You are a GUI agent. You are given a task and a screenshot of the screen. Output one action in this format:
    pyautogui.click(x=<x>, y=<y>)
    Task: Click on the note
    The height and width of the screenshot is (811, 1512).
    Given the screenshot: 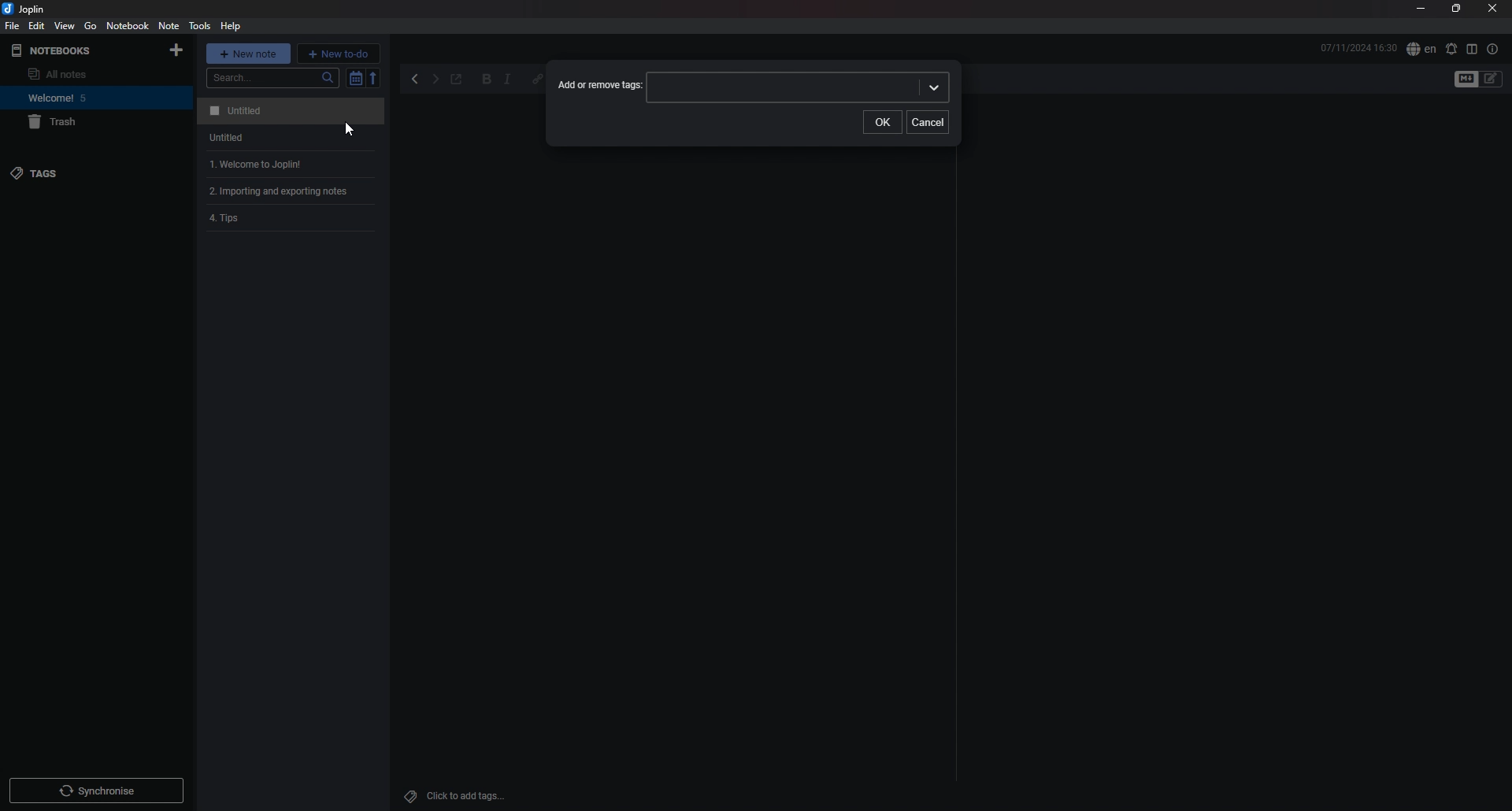 What is the action you would take?
    pyautogui.click(x=288, y=165)
    